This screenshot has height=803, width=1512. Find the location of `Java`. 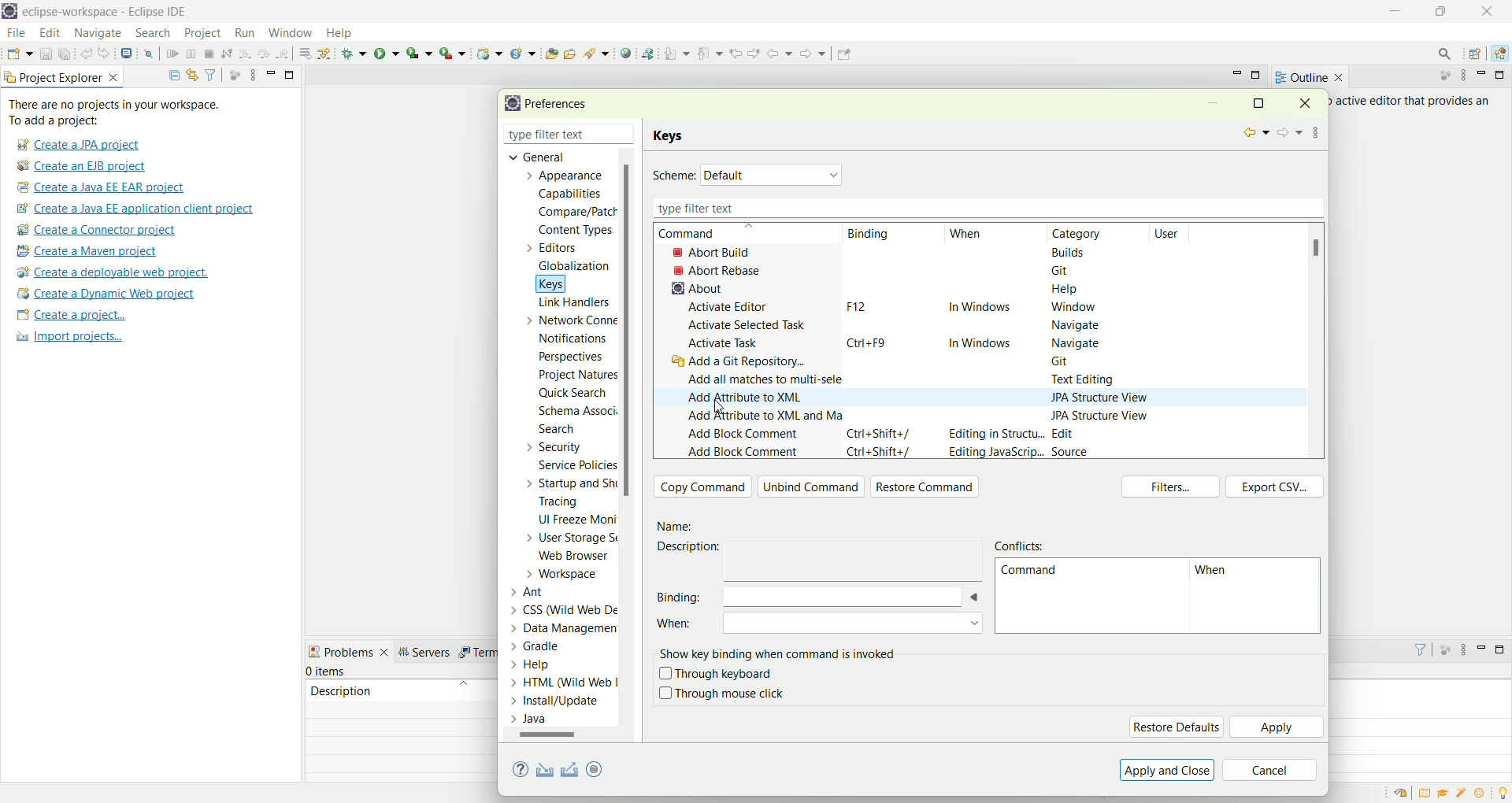

Java is located at coordinates (533, 719).